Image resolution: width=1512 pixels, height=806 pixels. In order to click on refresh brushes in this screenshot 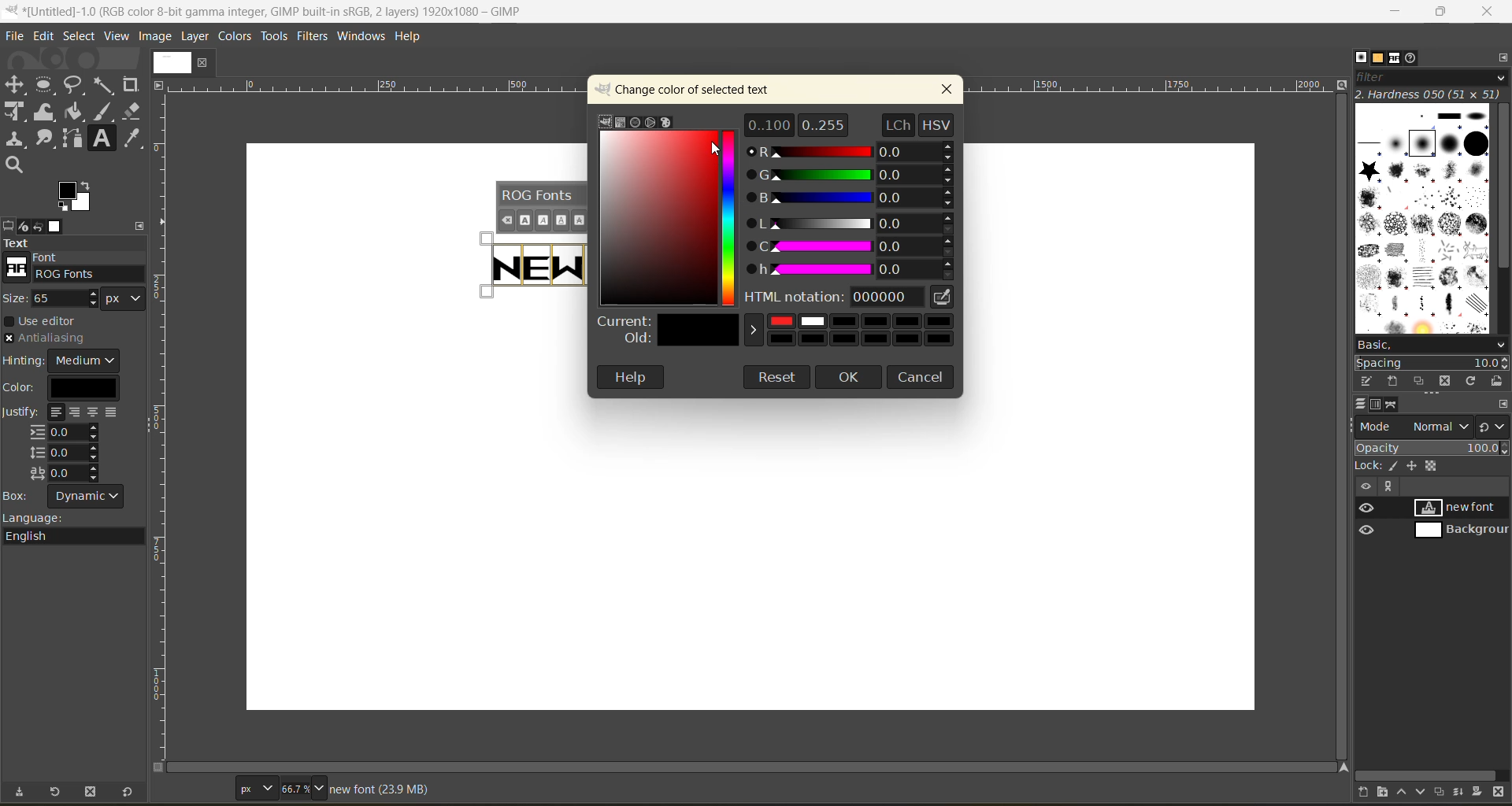, I will do `click(1473, 383)`.